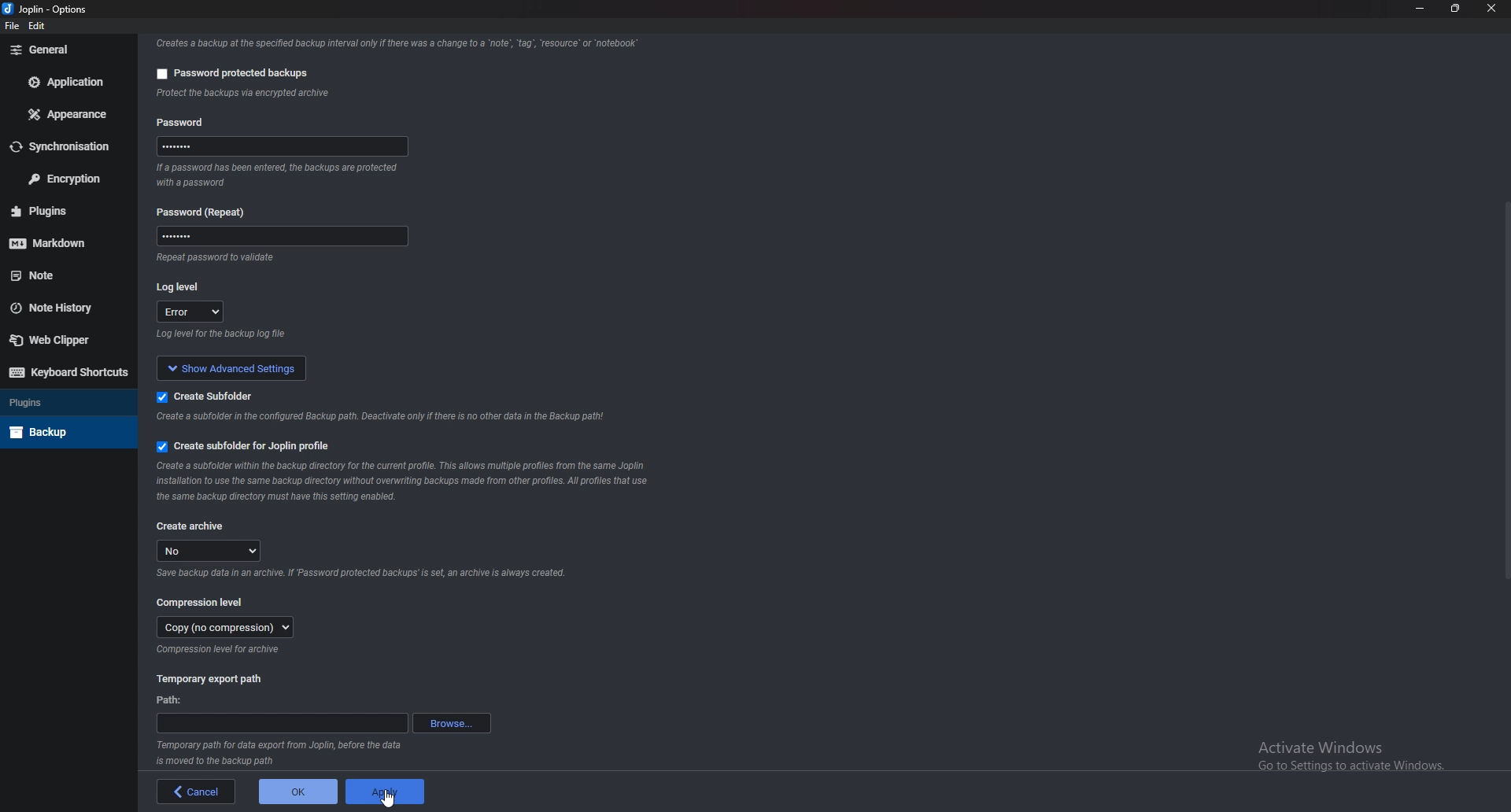  Describe the element at coordinates (208, 396) in the screenshot. I see `create subfolder` at that location.